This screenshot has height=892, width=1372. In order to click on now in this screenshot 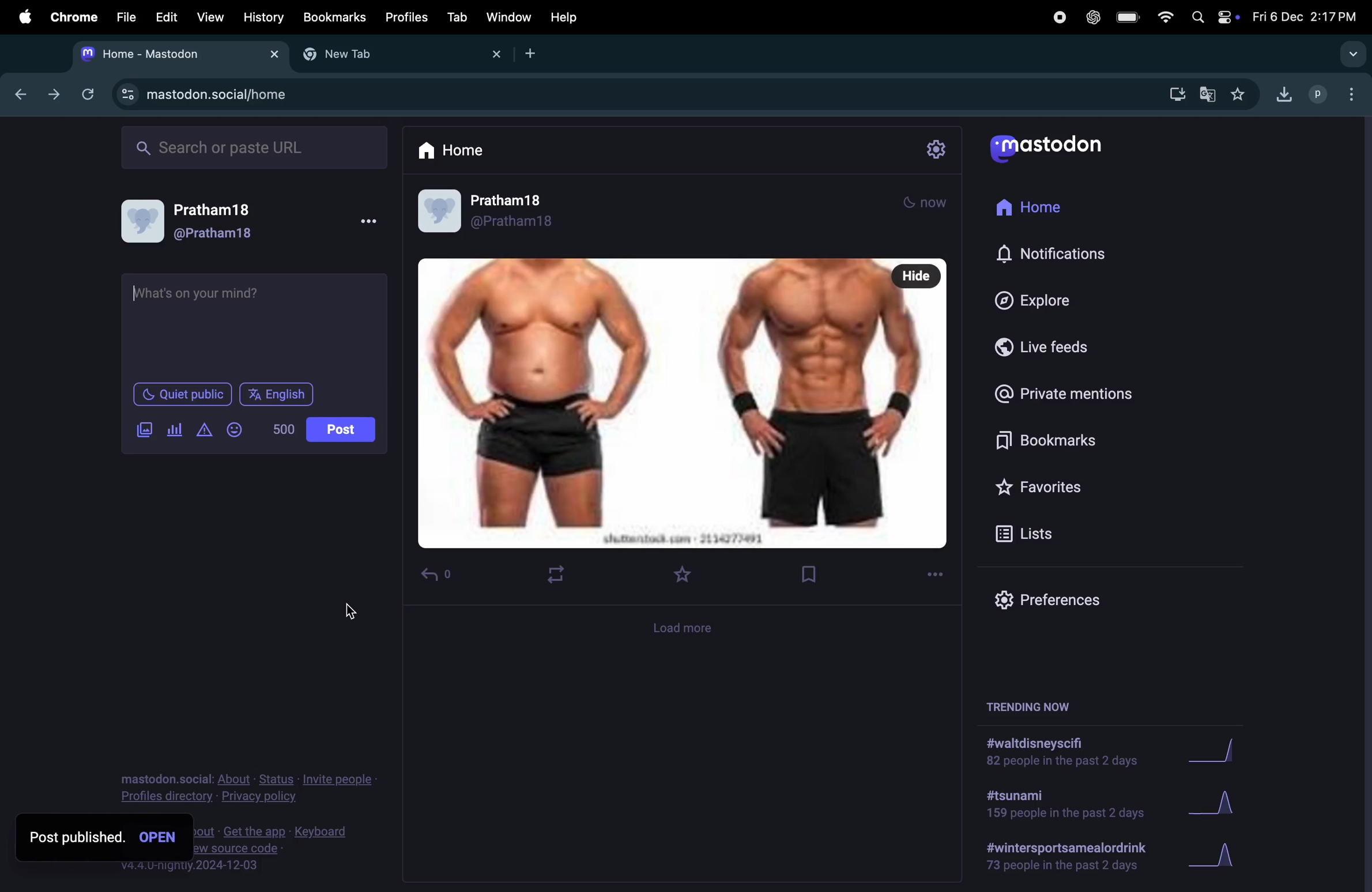, I will do `click(925, 203)`.